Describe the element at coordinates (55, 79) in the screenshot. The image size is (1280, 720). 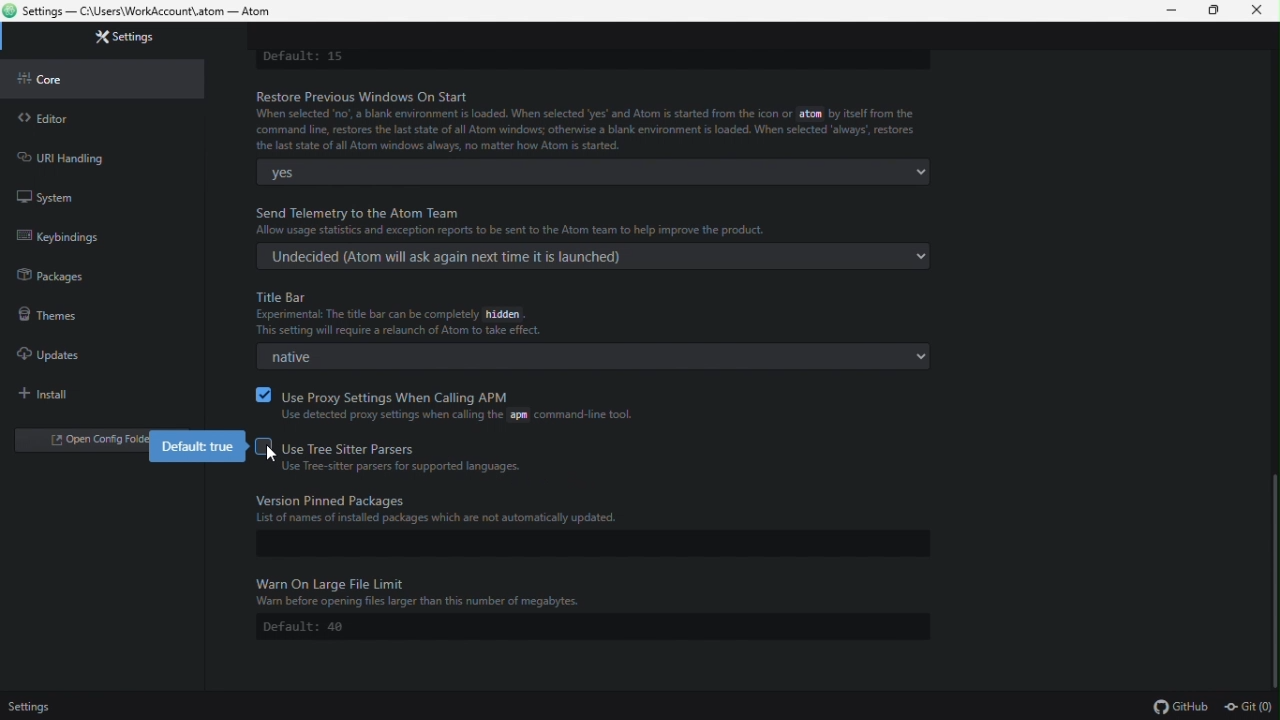
I see `core` at that location.